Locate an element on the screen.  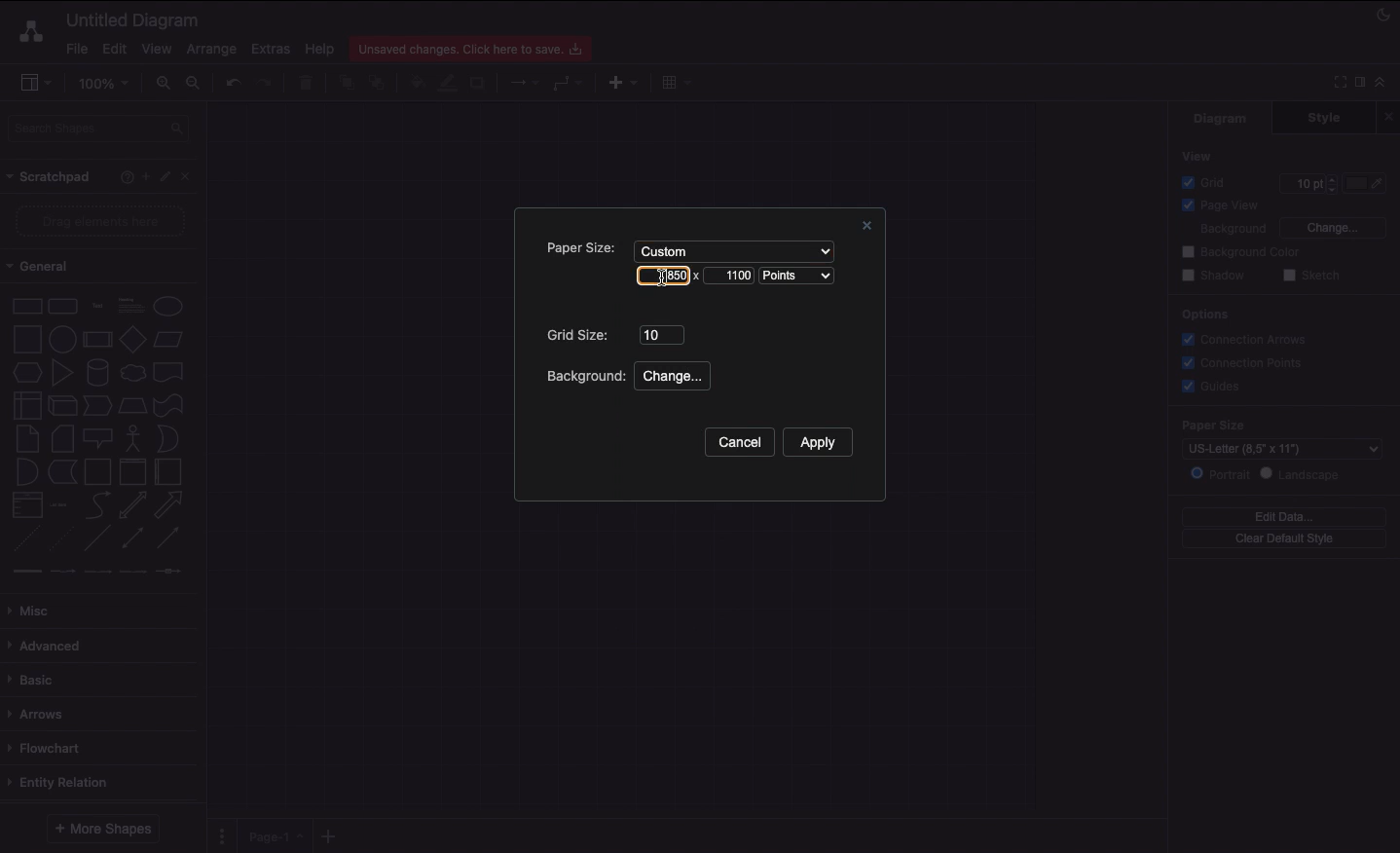
Search shapes is located at coordinates (100, 131).